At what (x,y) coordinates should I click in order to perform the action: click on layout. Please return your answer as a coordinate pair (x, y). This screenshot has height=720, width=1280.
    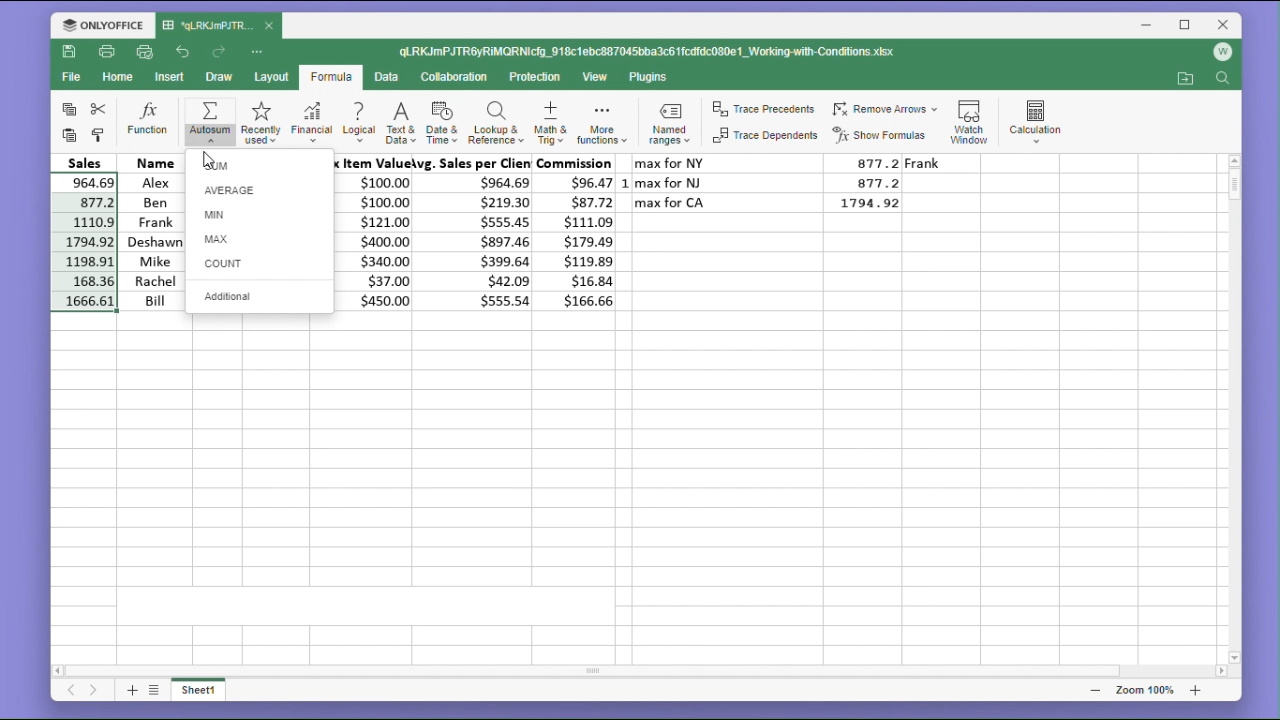
    Looking at the image, I should click on (270, 78).